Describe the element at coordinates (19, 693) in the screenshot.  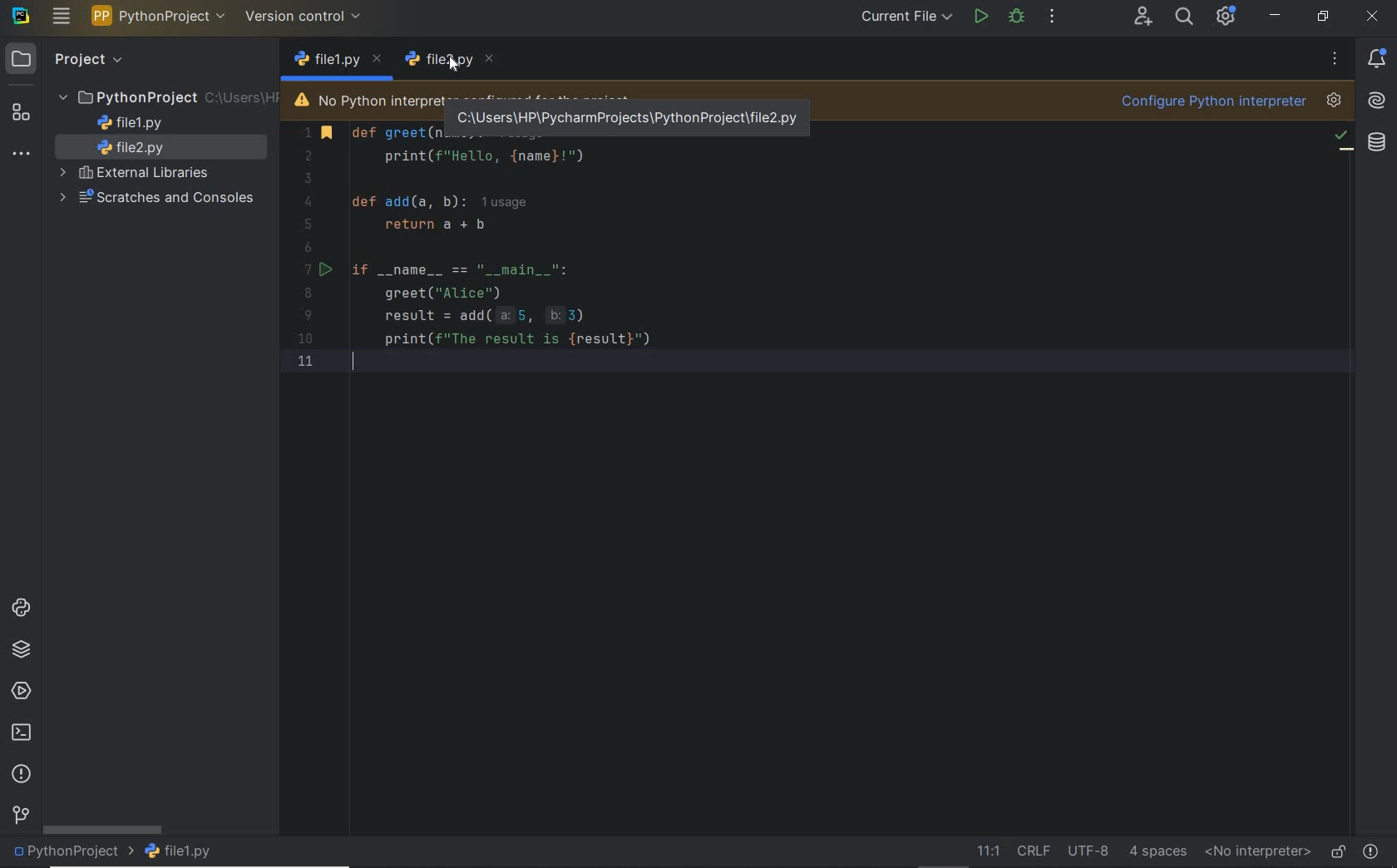
I see `services` at that location.